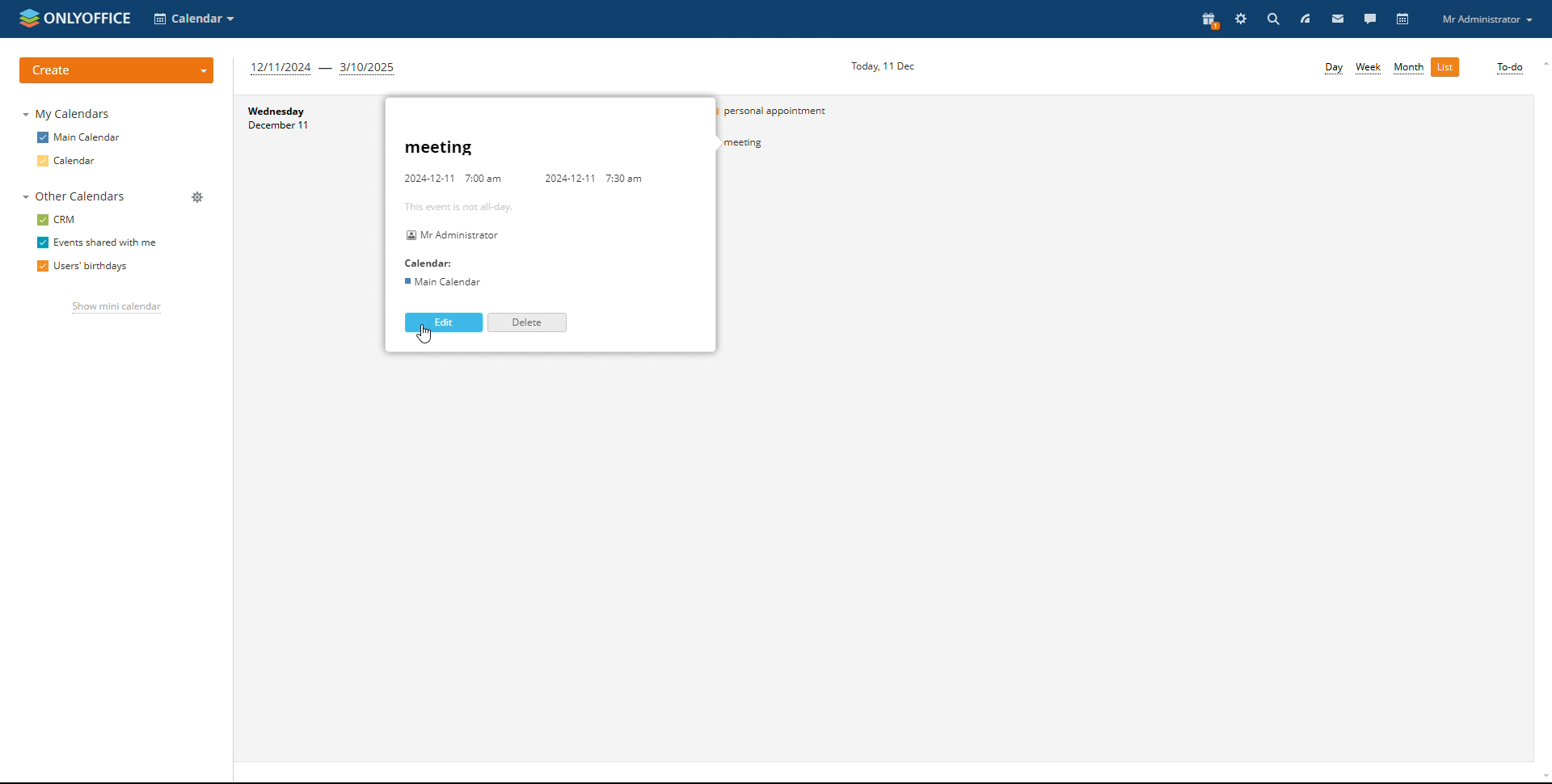 The image size is (1552, 784). Describe the element at coordinates (197, 199) in the screenshot. I see `manage` at that location.